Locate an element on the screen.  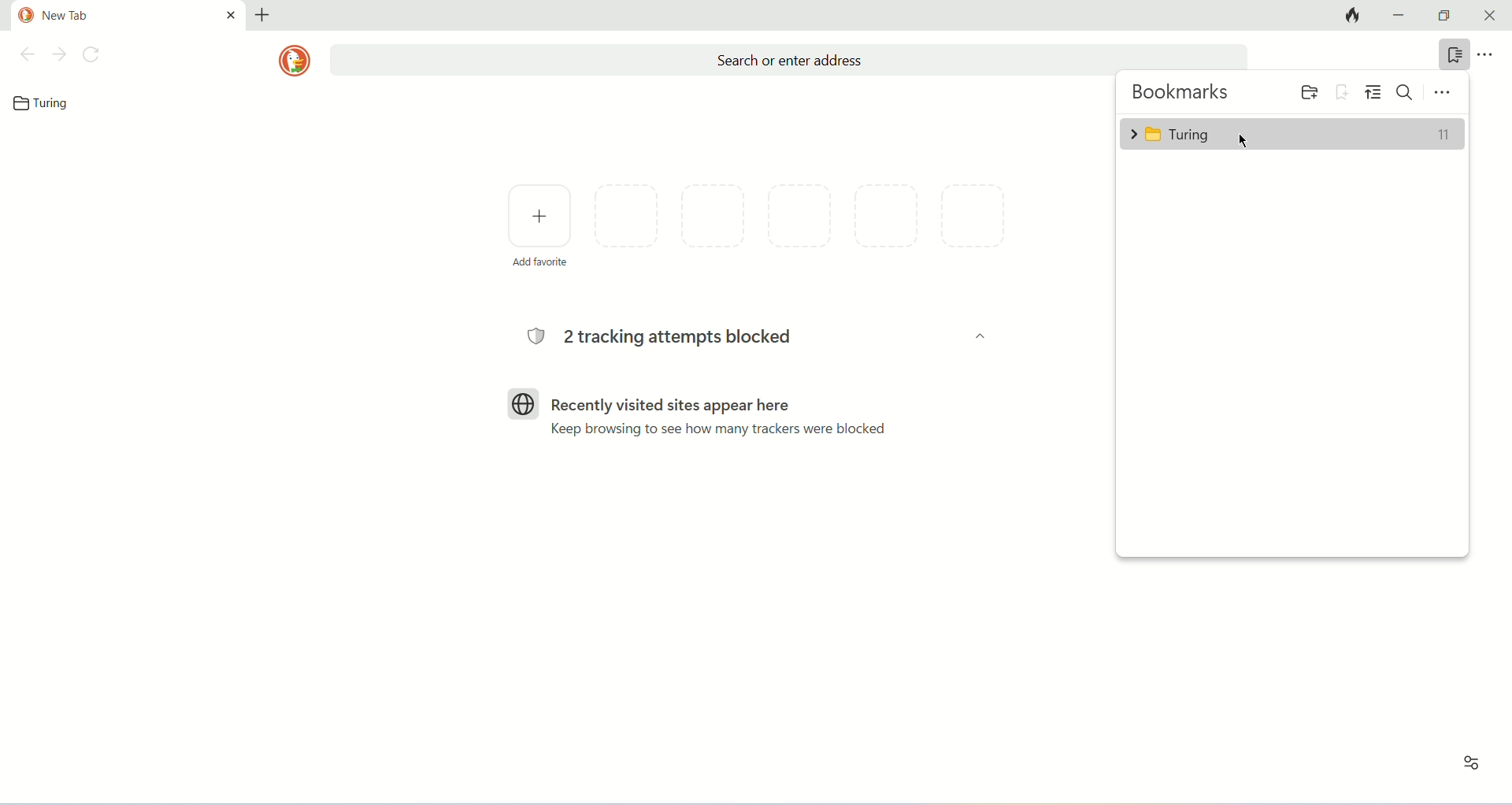
search is located at coordinates (787, 60).